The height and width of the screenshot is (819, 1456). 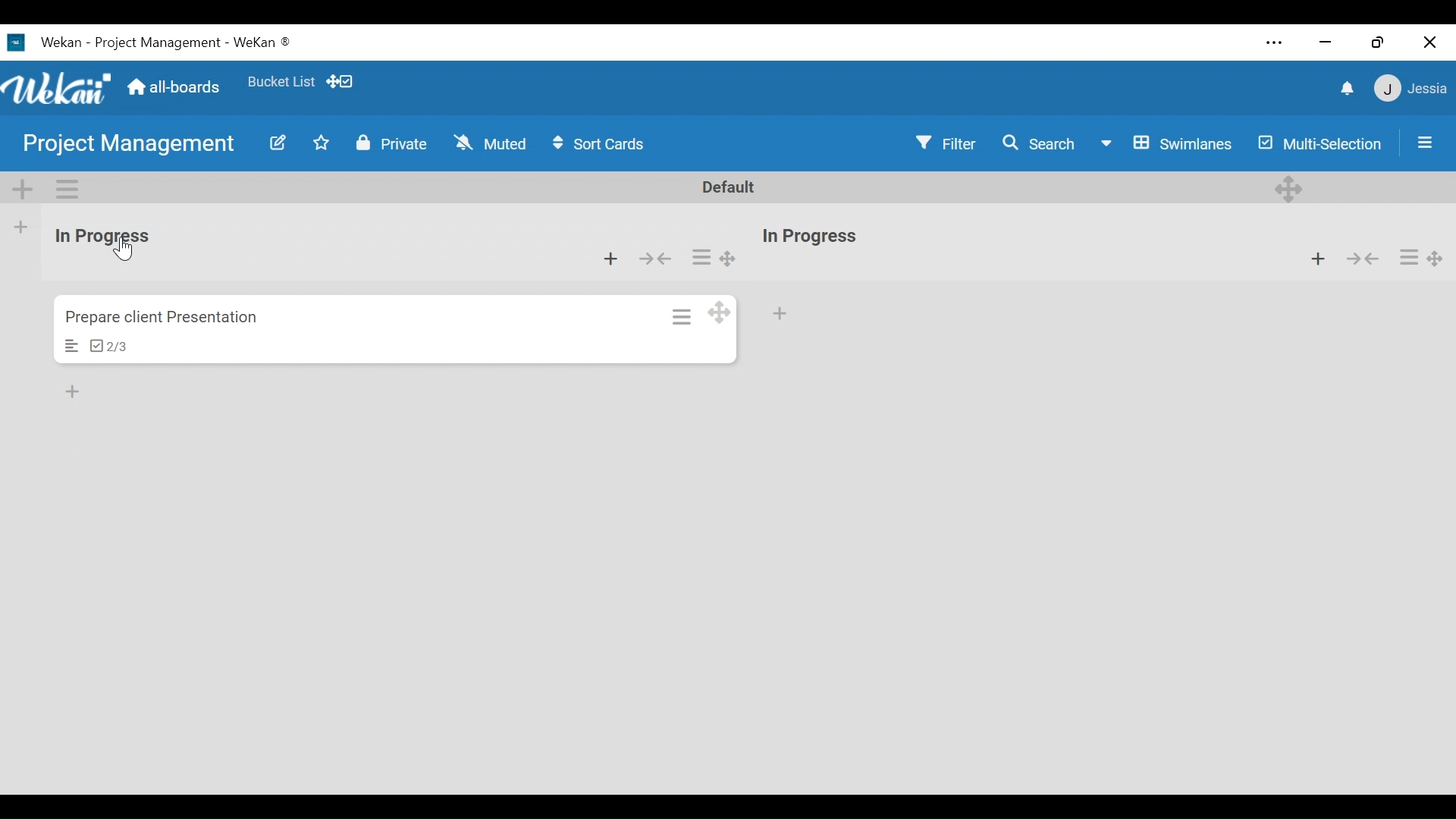 I want to click on Desktop drag handles, so click(x=729, y=259).